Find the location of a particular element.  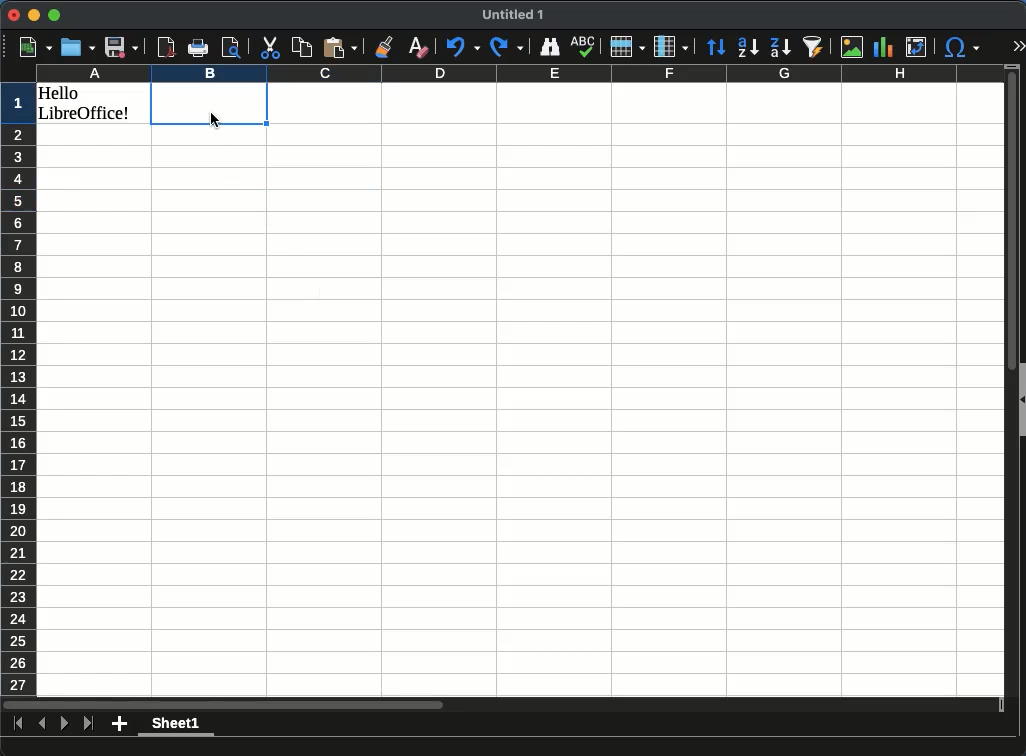

save is located at coordinates (124, 46).